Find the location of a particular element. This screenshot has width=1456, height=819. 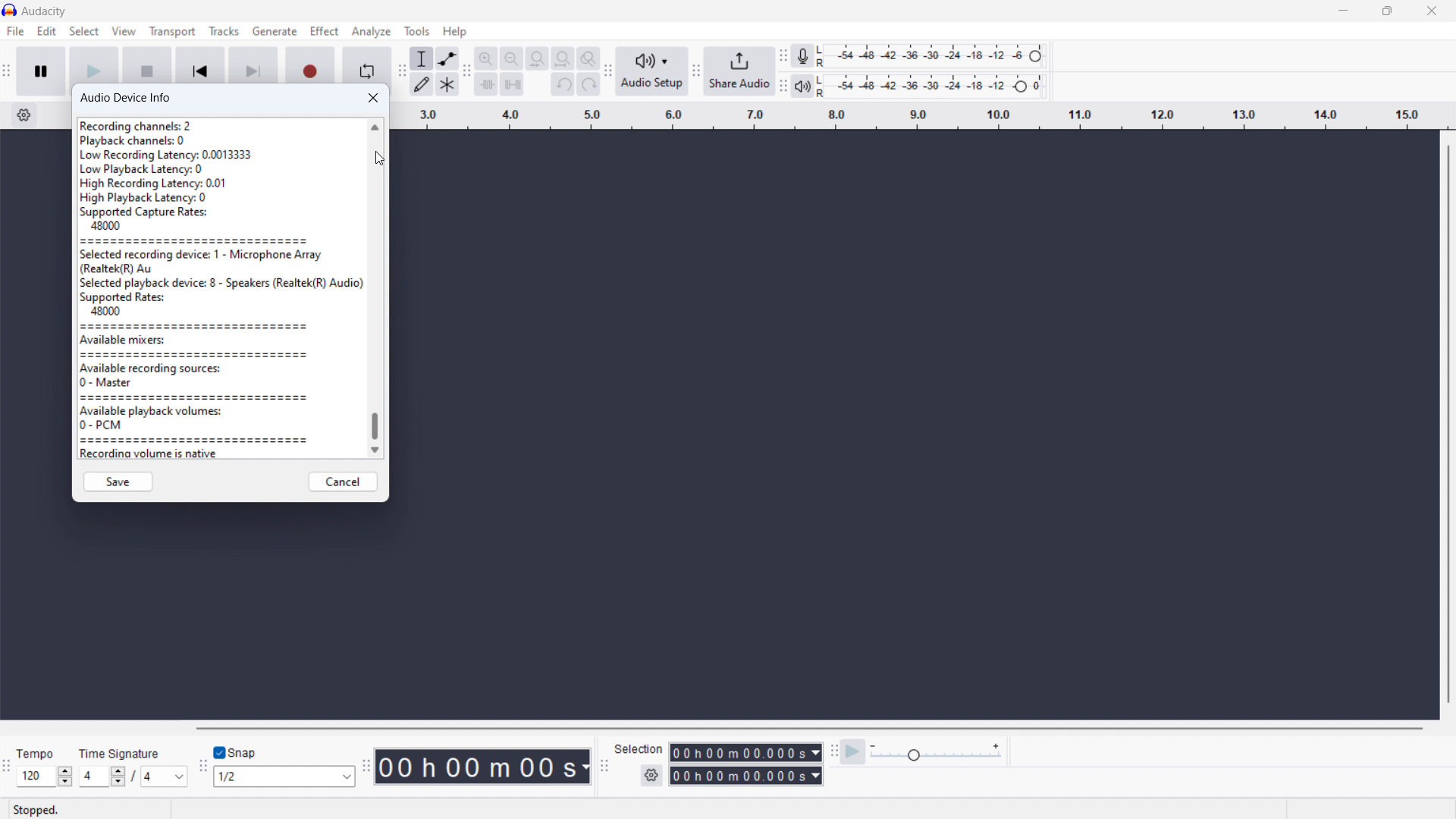

tools is located at coordinates (415, 31).